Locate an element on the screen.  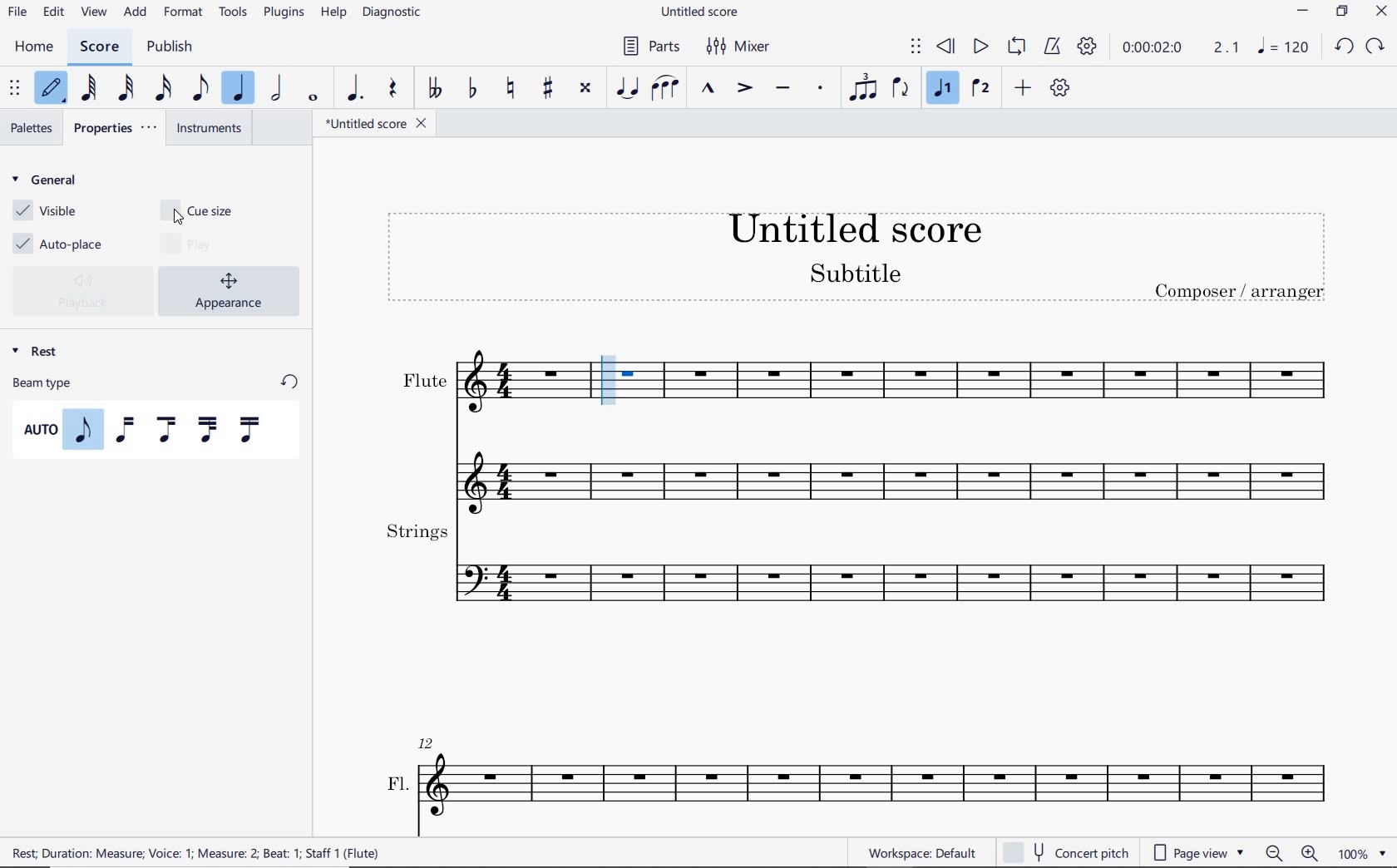
DIAGNOSTIC is located at coordinates (394, 13).